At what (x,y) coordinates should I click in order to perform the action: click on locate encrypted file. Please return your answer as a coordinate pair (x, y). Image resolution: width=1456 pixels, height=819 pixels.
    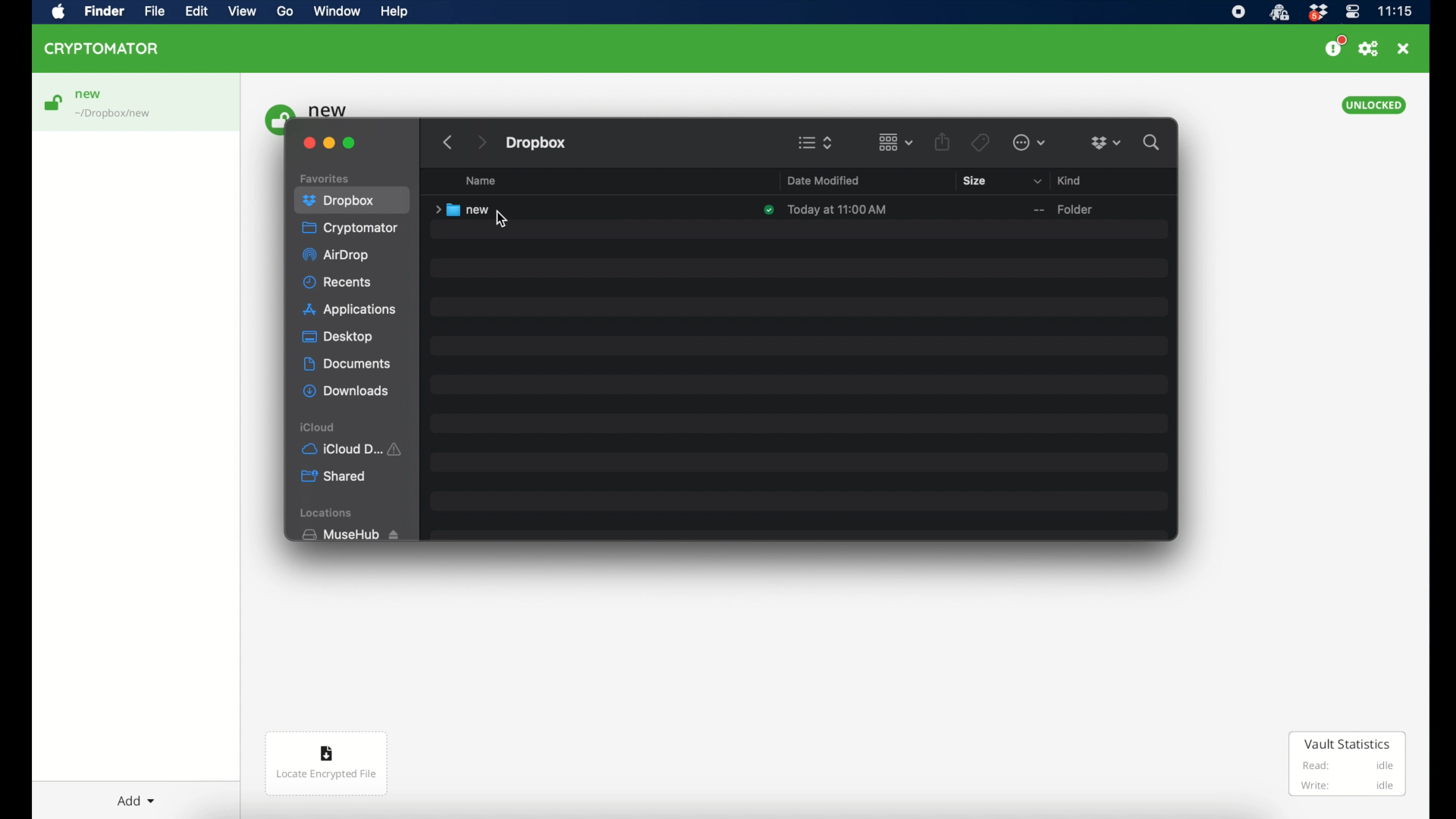
    Looking at the image, I should click on (327, 764).